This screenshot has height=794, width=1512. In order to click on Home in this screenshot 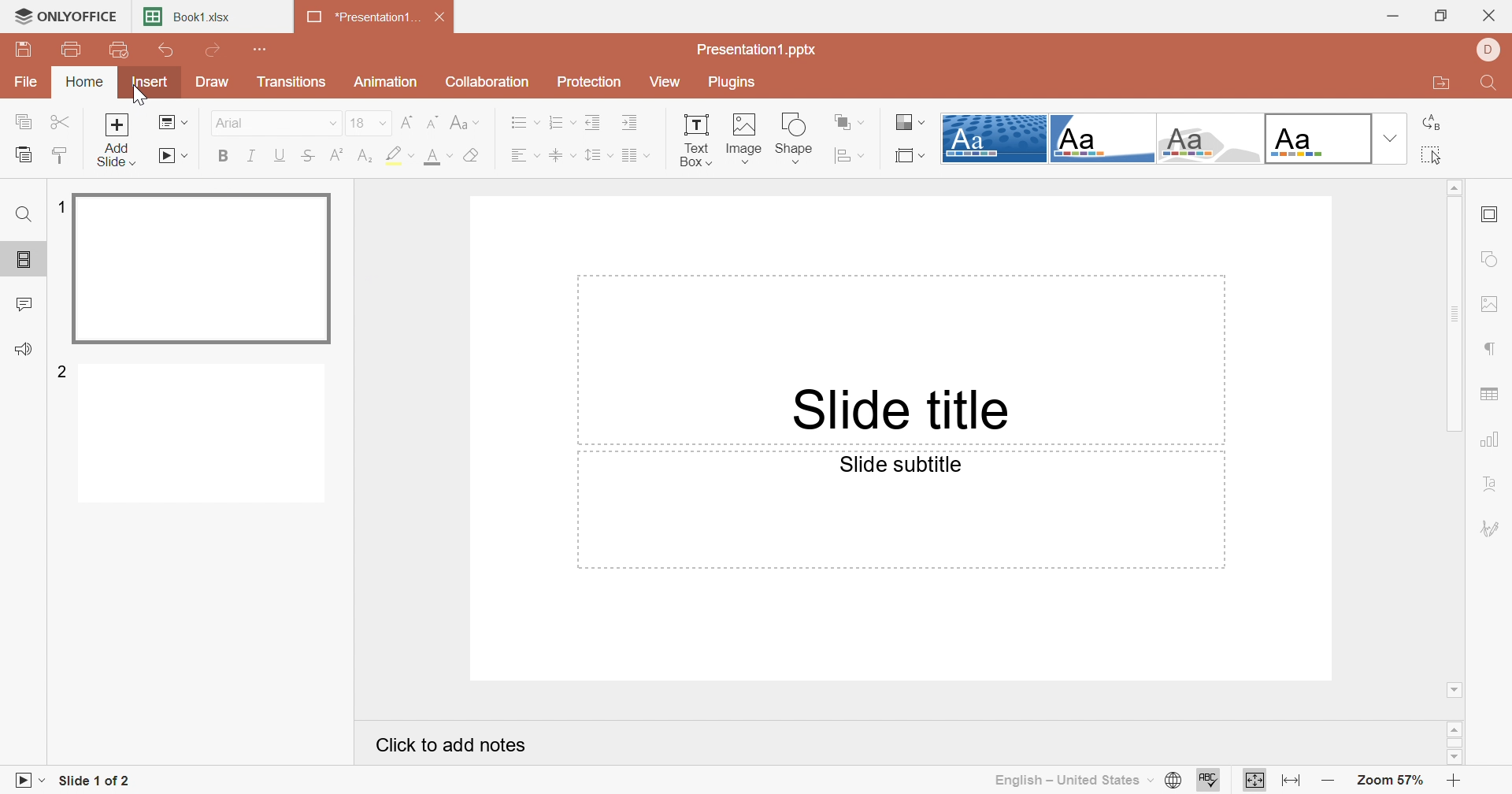, I will do `click(87, 81)`.